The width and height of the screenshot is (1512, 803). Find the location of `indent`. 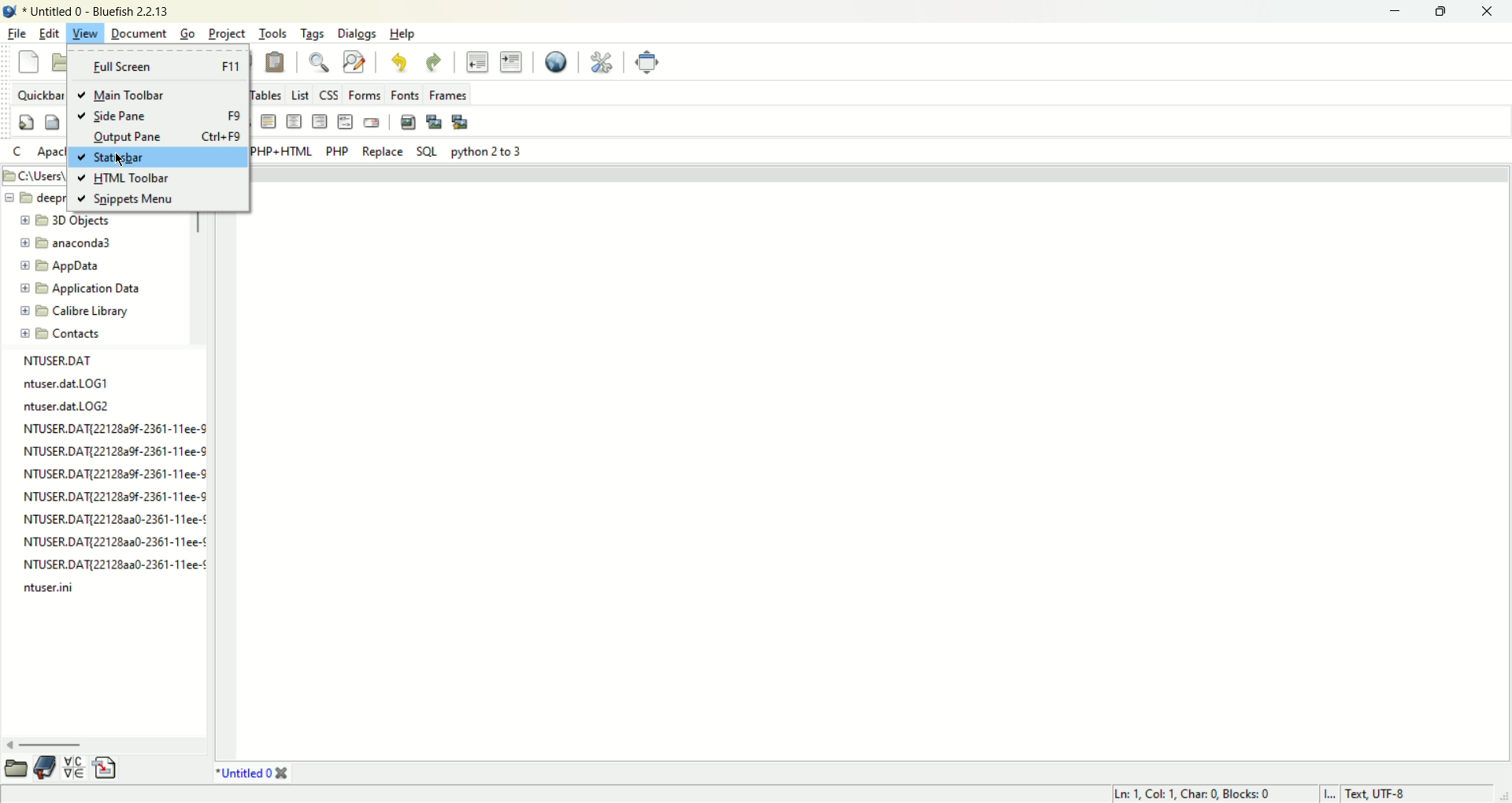

indent is located at coordinates (512, 62).